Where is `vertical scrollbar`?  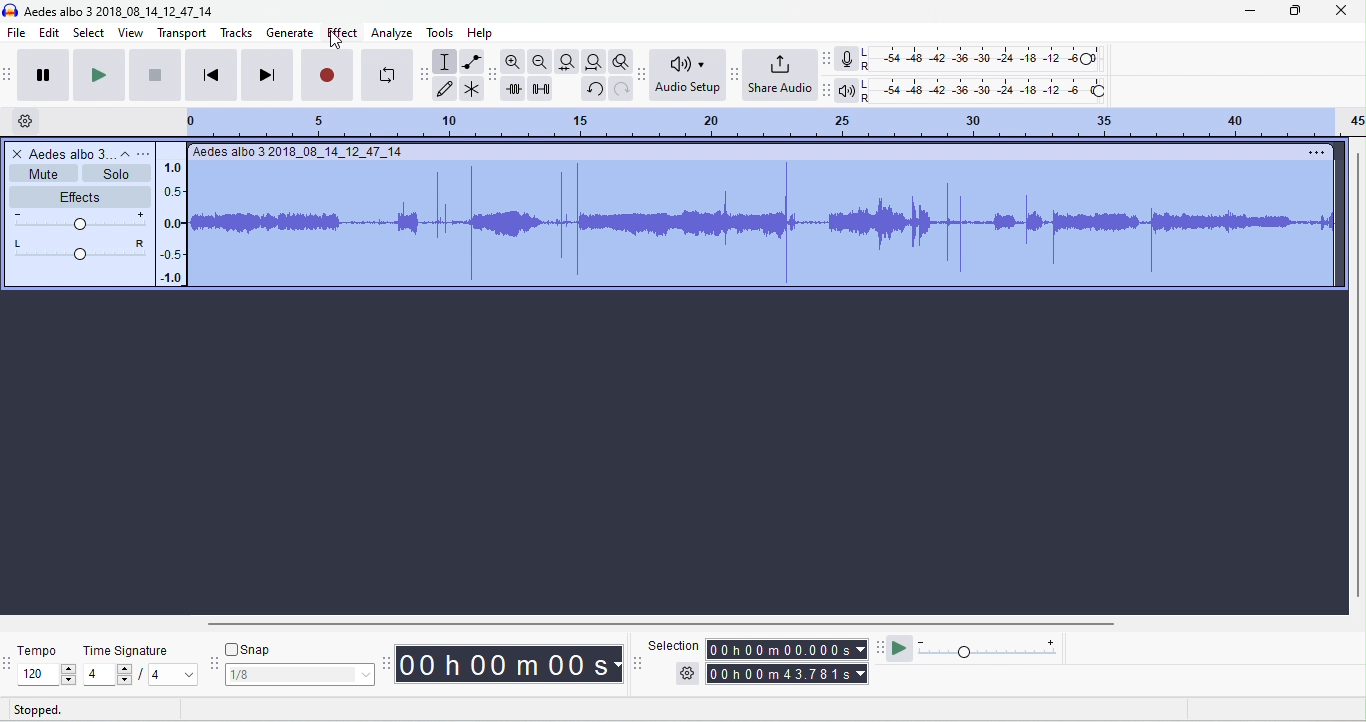
vertical scrollbar is located at coordinates (1357, 376).